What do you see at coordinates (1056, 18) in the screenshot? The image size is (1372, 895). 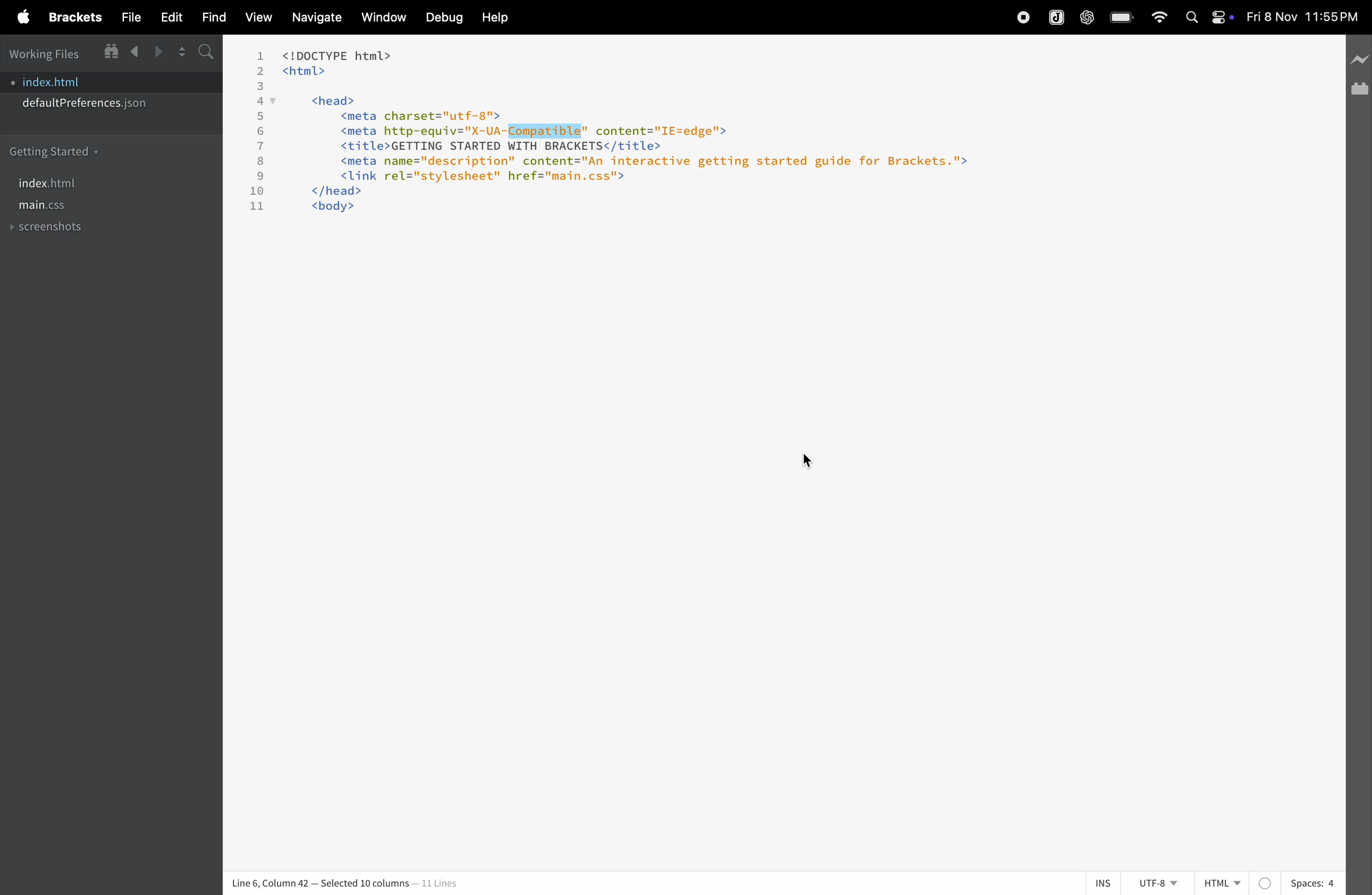 I see `joplin` at bounding box center [1056, 18].